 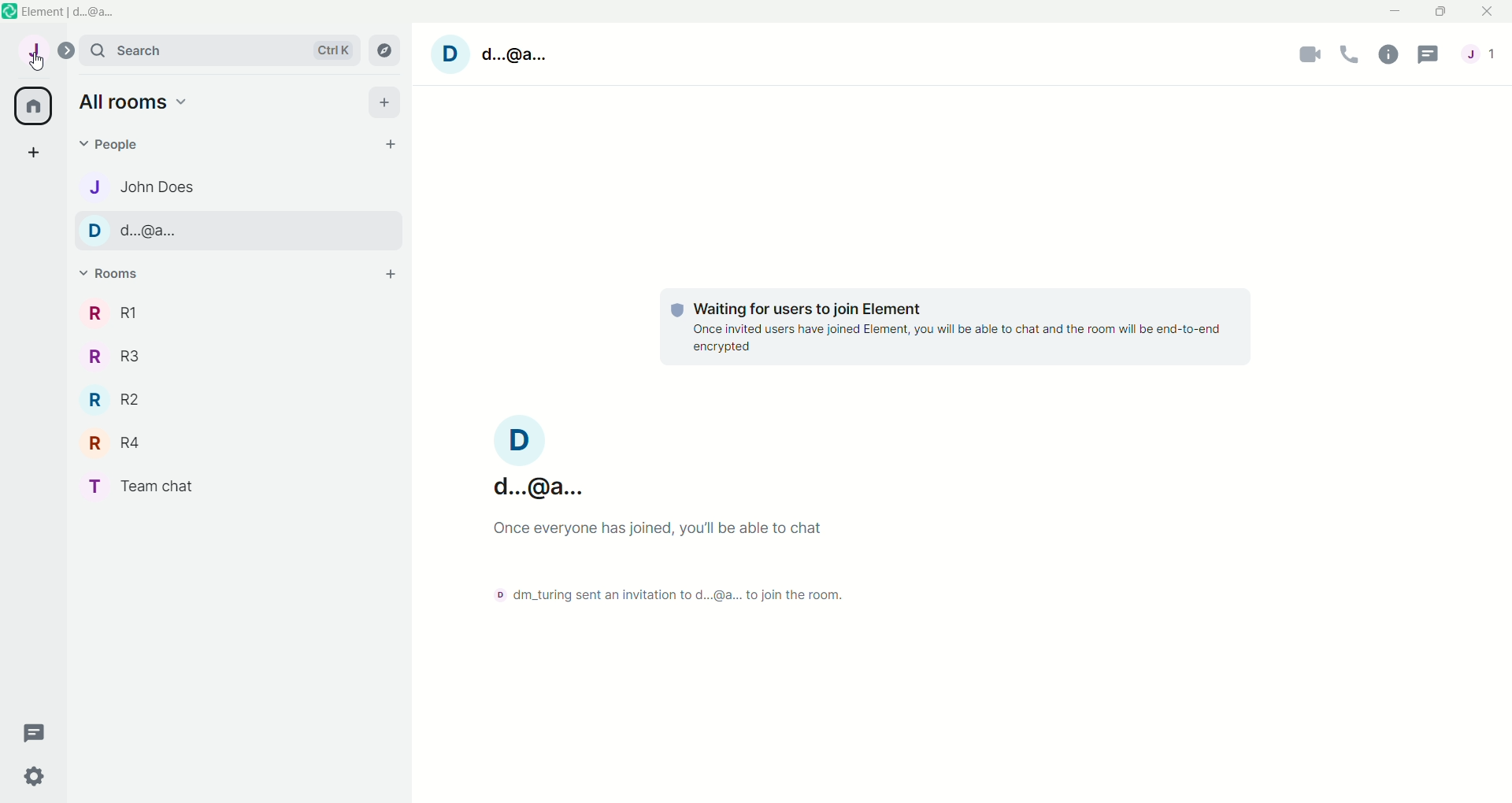 What do you see at coordinates (957, 328) in the screenshot?
I see `Waiting for users to join Element Once invited users have joined Element, you will be able to chat and the room will be end-to-end encrypted` at bounding box center [957, 328].